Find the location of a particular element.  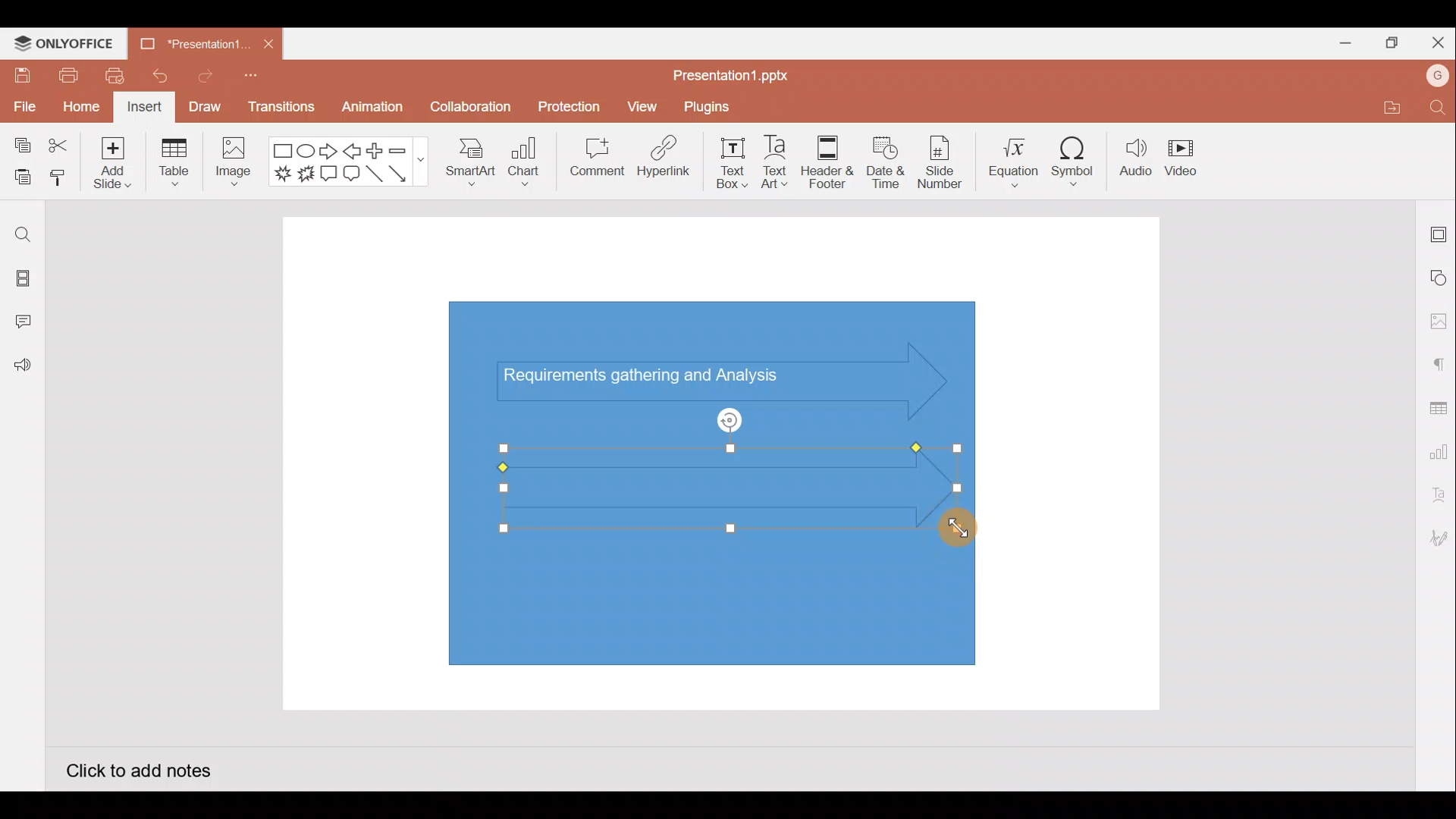

Comments is located at coordinates (27, 323).